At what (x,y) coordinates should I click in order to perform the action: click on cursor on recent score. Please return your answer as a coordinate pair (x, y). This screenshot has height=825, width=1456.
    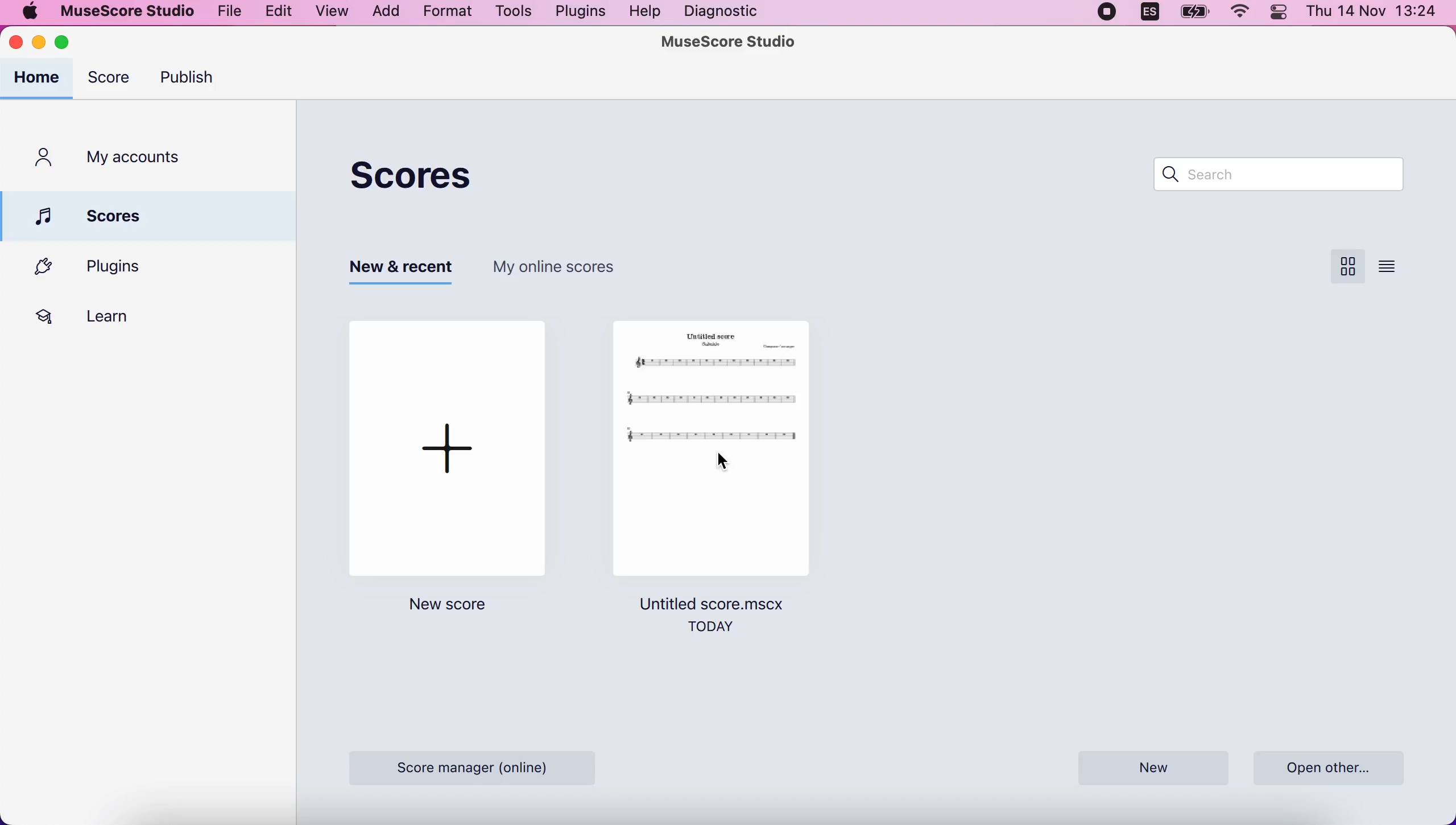
    Looking at the image, I should click on (726, 461).